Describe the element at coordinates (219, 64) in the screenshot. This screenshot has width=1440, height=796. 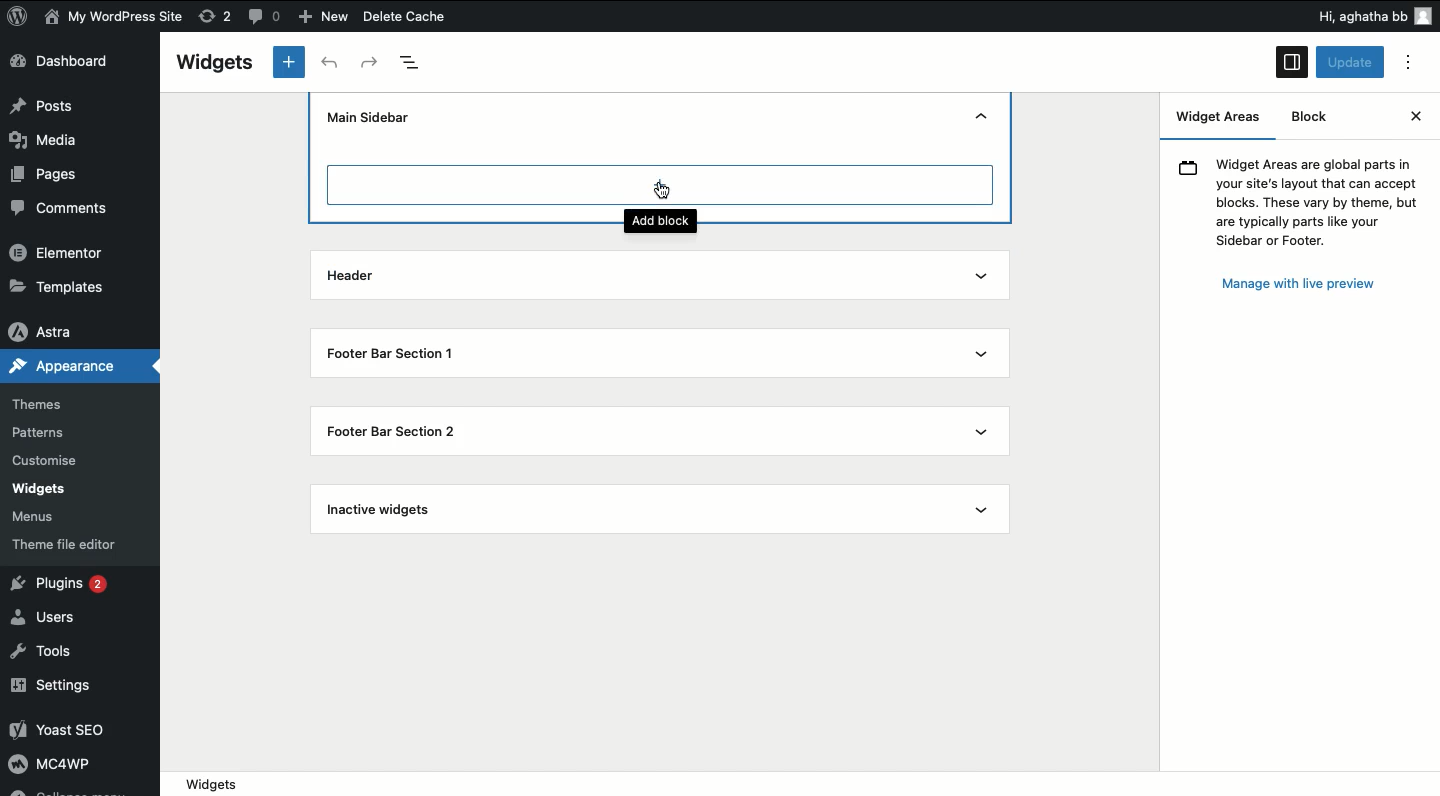
I see `Widgets` at that location.